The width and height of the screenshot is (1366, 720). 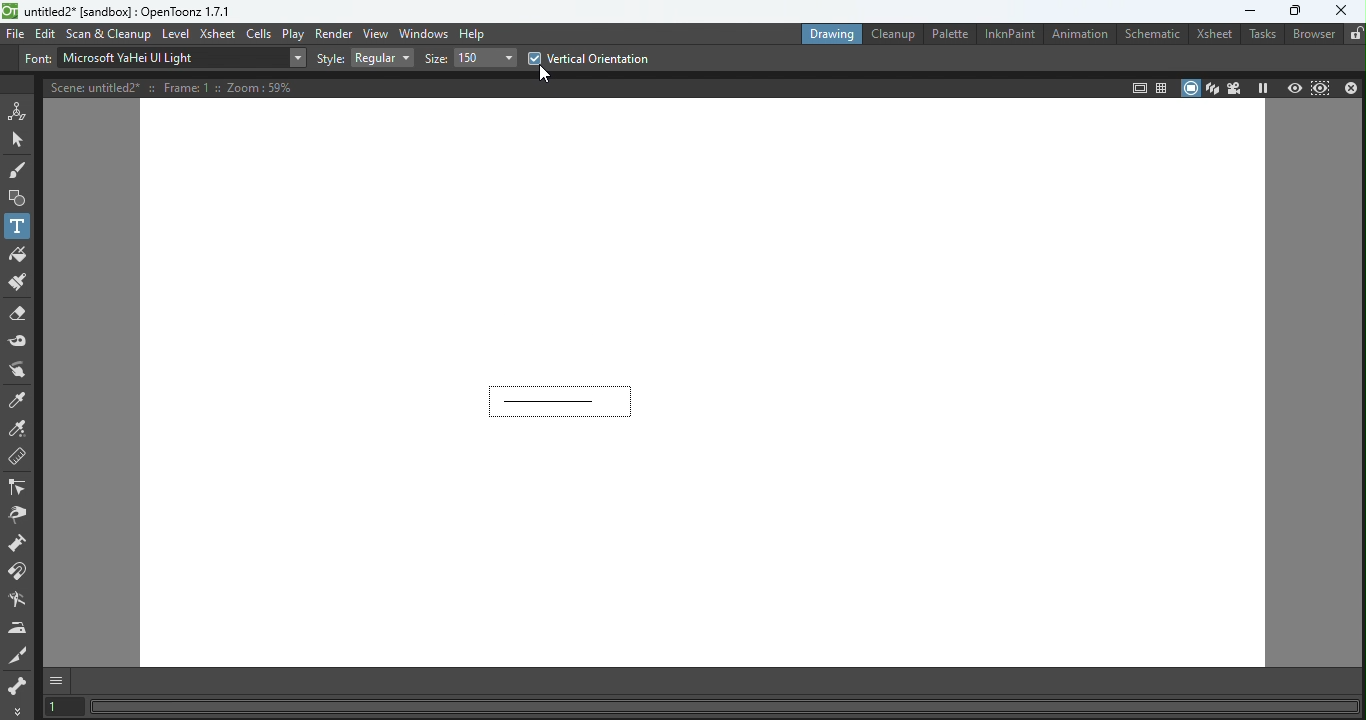 I want to click on Close, so click(x=1344, y=11).